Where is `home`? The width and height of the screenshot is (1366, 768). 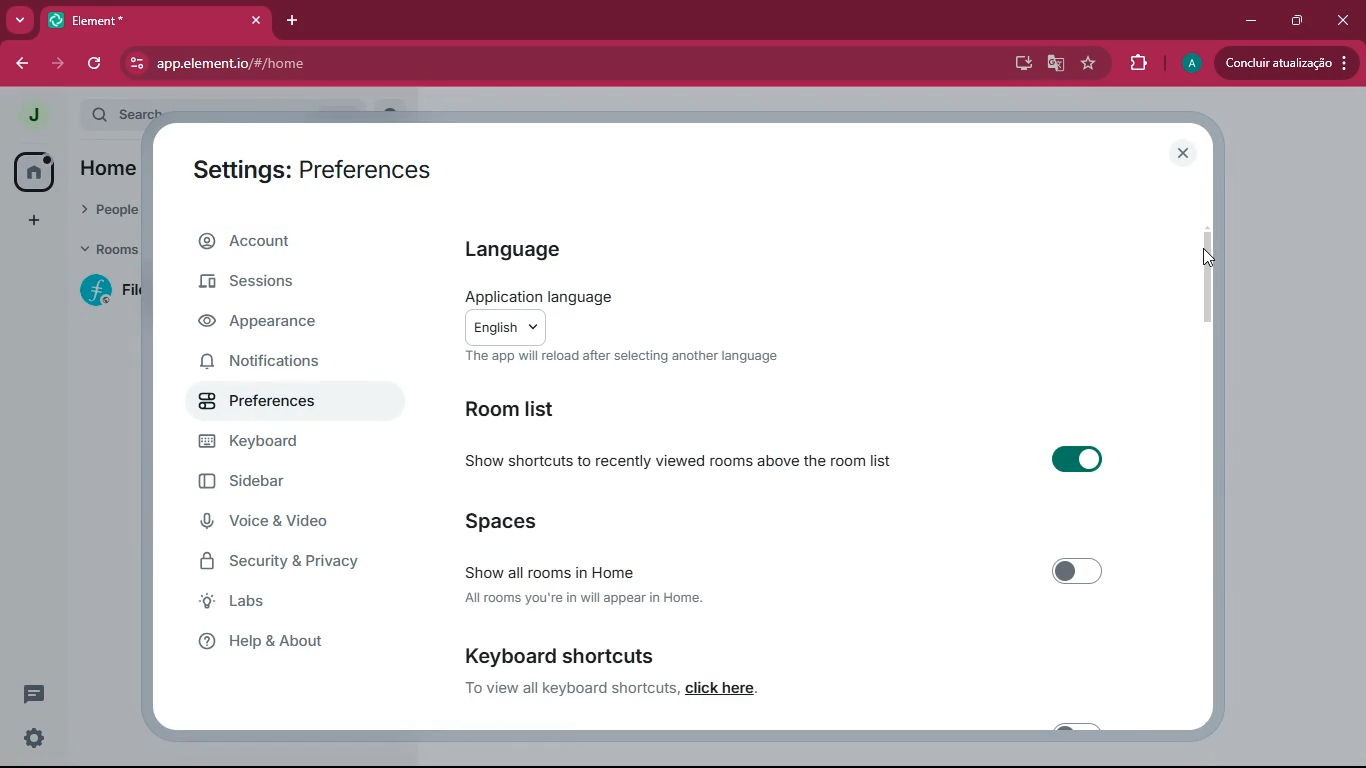 home is located at coordinates (117, 167).